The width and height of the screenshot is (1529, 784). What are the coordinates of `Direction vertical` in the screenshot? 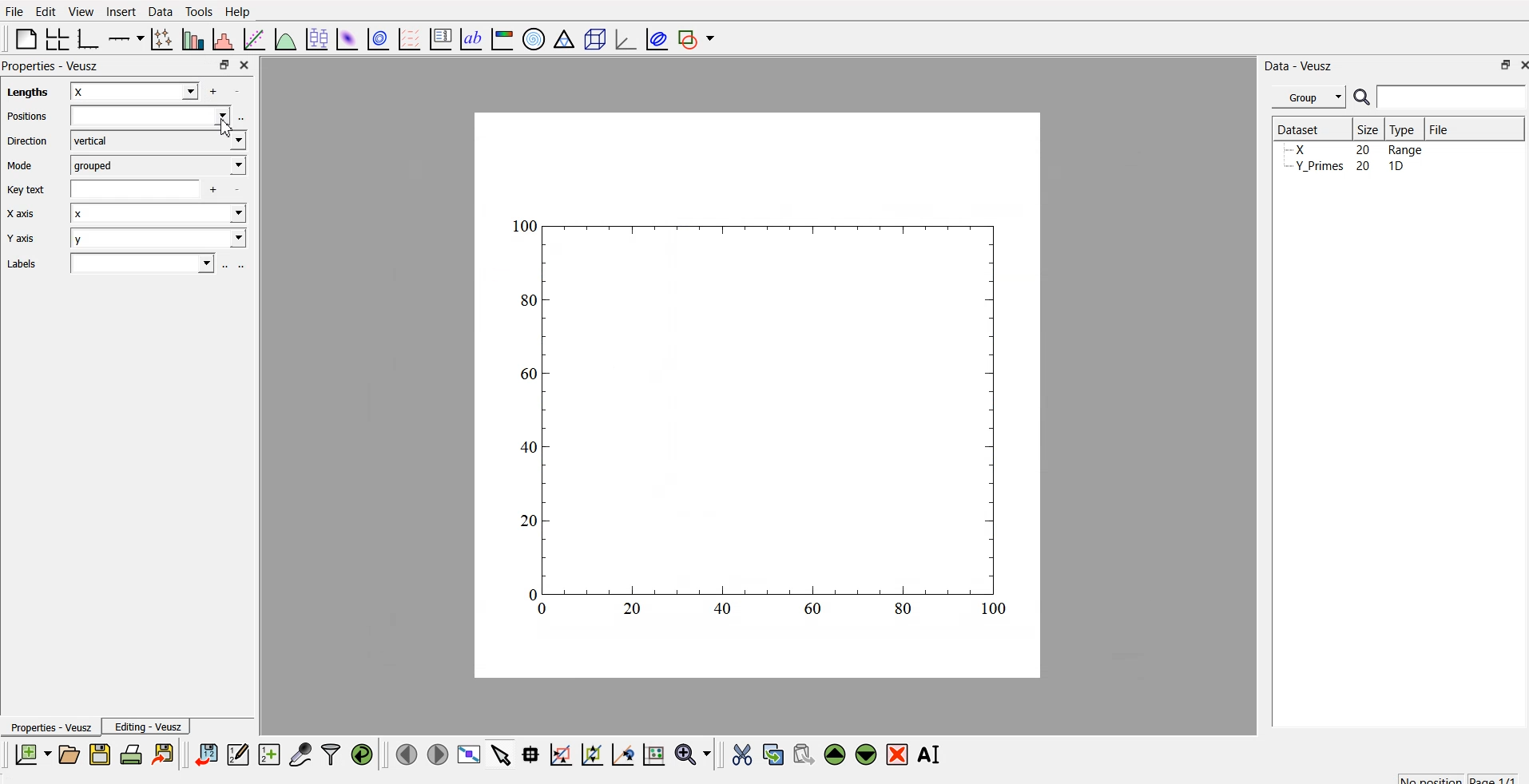 It's located at (126, 141).